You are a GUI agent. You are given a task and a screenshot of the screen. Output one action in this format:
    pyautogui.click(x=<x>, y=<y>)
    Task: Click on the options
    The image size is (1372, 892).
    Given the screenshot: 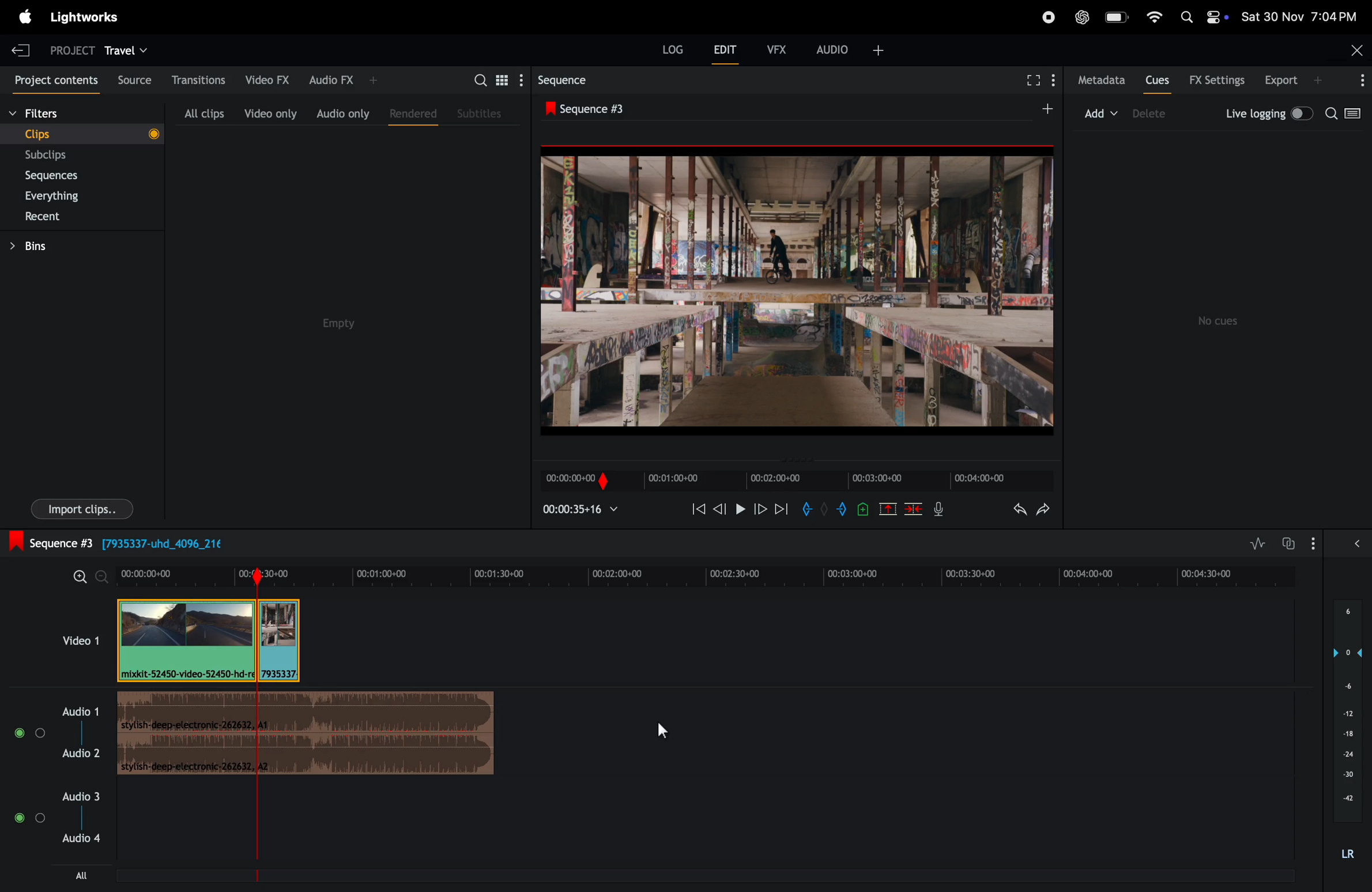 What is the action you would take?
    pyautogui.click(x=1316, y=543)
    